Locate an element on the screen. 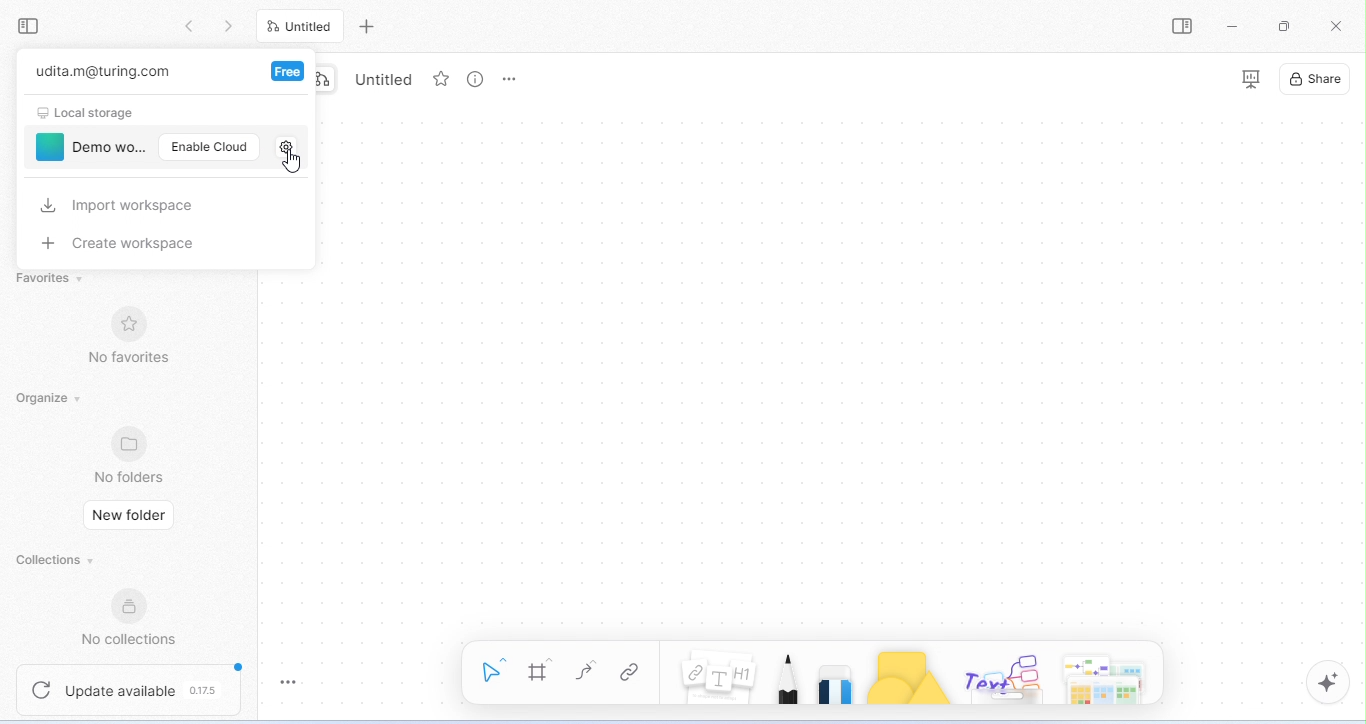 The image size is (1366, 724). shape is located at coordinates (912, 676).